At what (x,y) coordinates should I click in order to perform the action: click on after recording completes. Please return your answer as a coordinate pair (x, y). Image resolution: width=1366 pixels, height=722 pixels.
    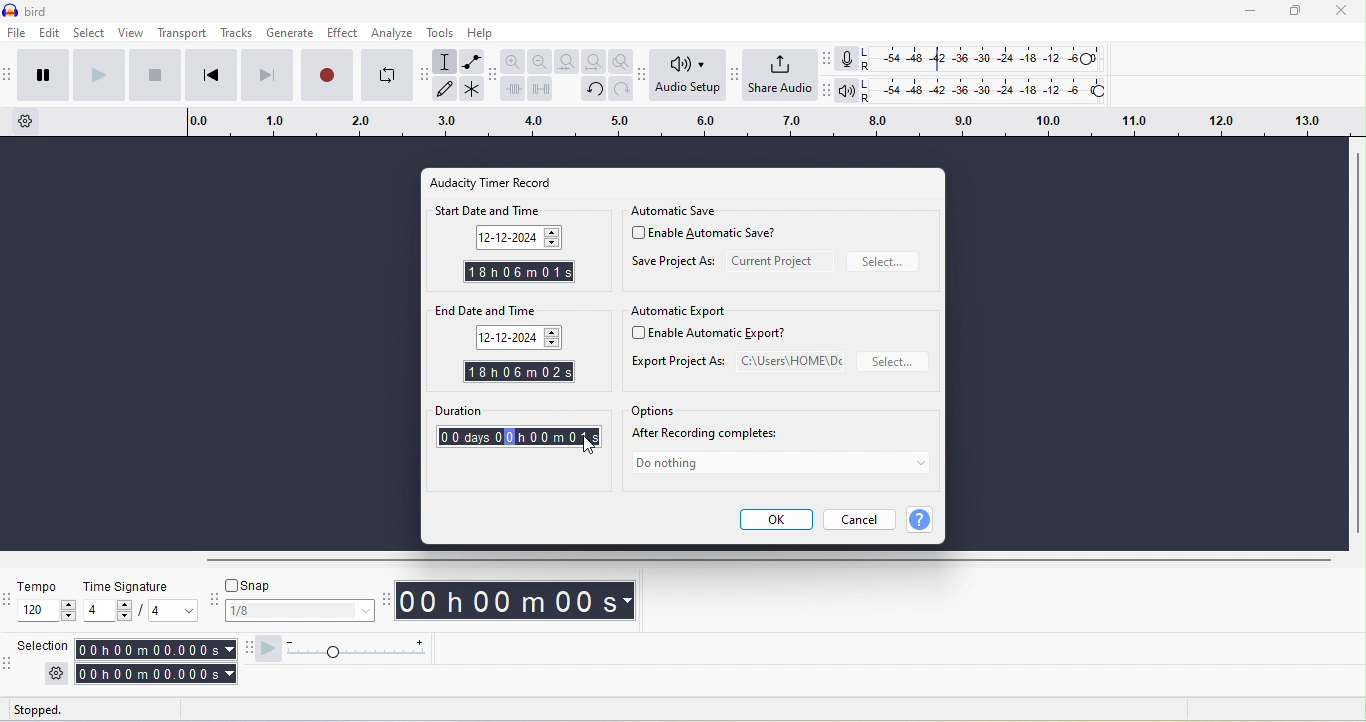
    Looking at the image, I should click on (713, 435).